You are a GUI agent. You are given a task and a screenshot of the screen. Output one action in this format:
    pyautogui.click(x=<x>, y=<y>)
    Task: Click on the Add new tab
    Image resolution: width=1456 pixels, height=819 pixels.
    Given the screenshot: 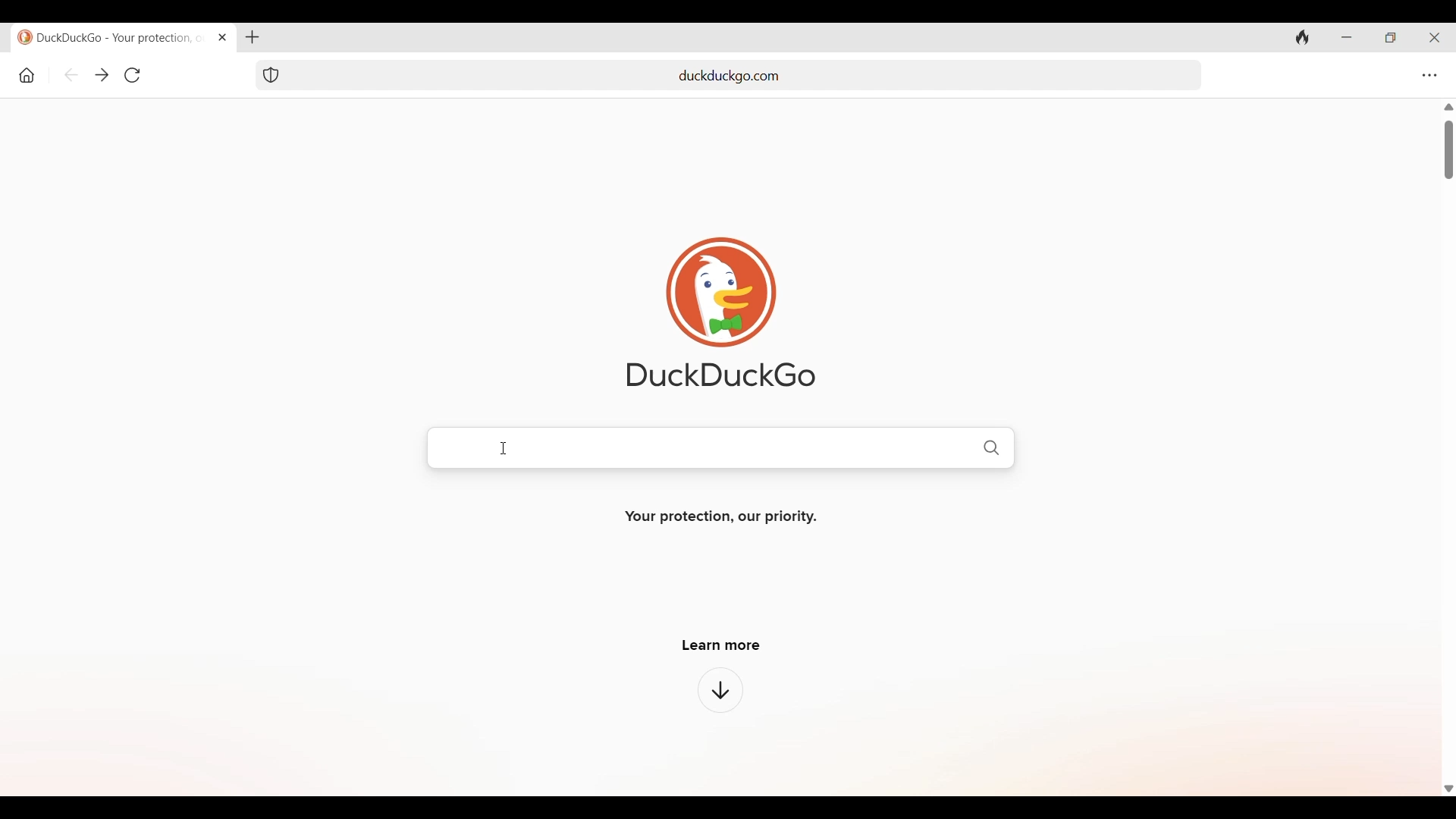 What is the action you would take?
    pyautogui.click(x=253, y=37)
    